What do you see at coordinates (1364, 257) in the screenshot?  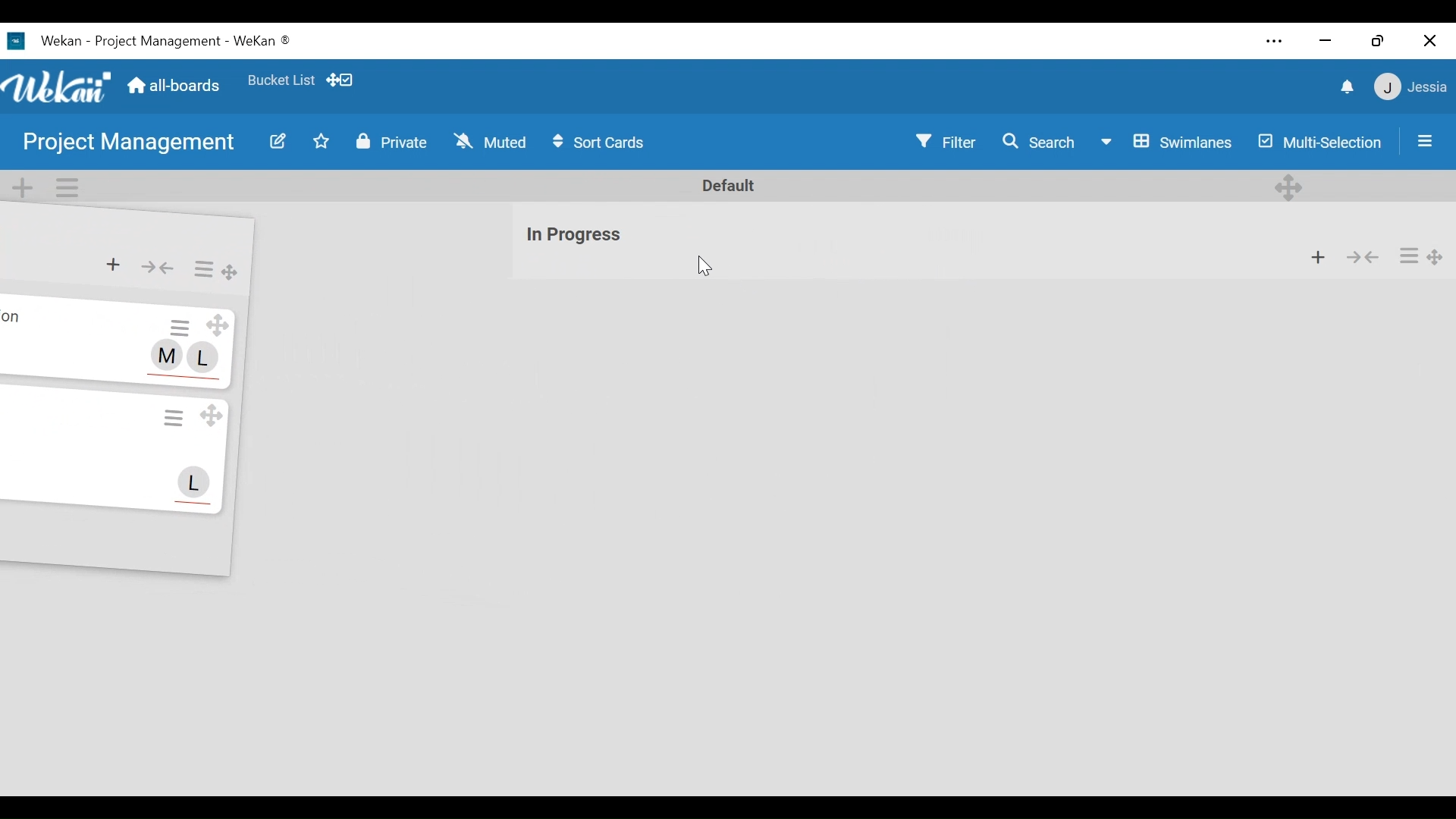 I see `Collapse` at bounding box center [1364, 257].